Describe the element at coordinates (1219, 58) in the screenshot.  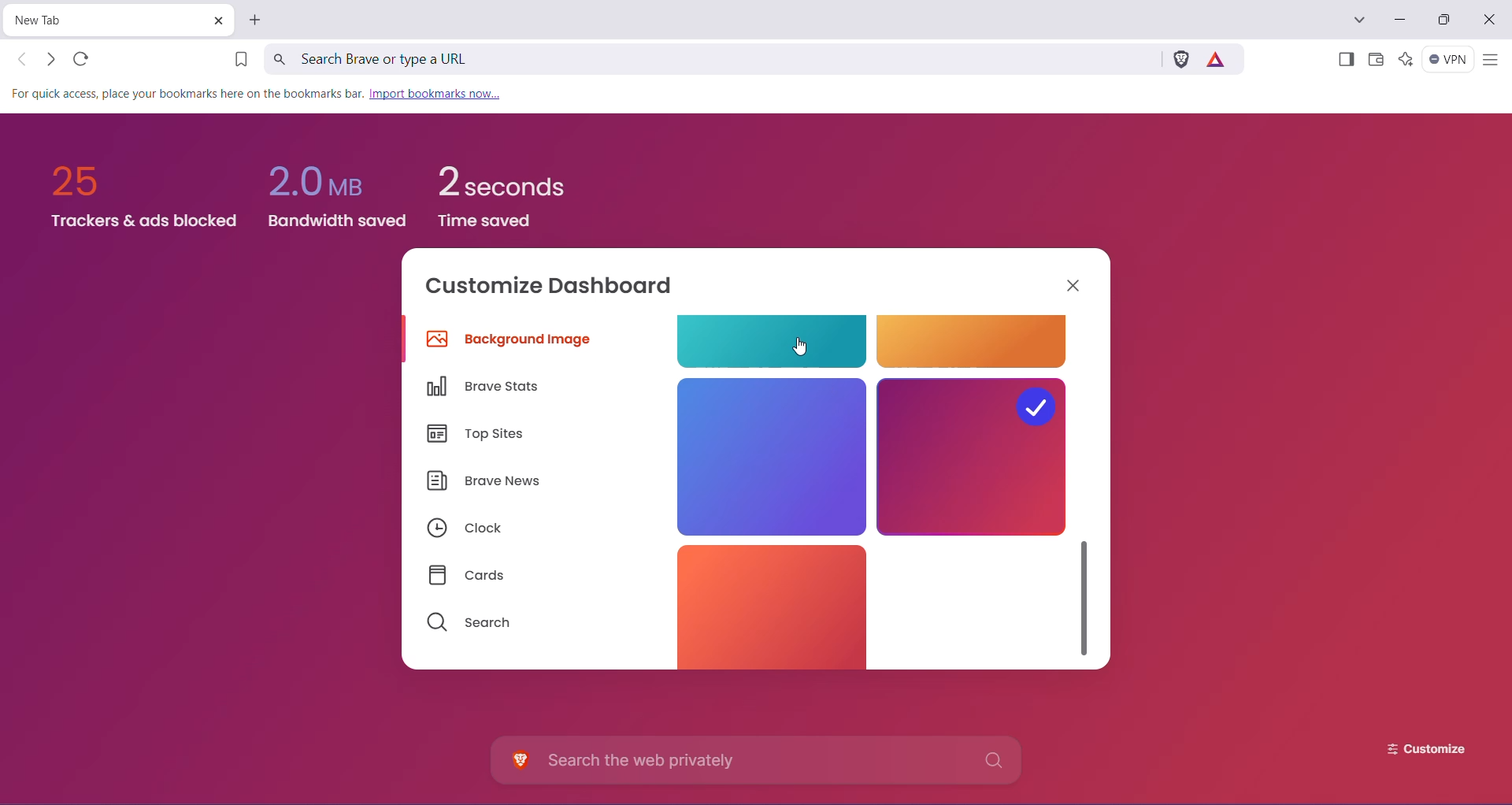
I see `Earn tokens for private Ads you see in Brave` at that location.